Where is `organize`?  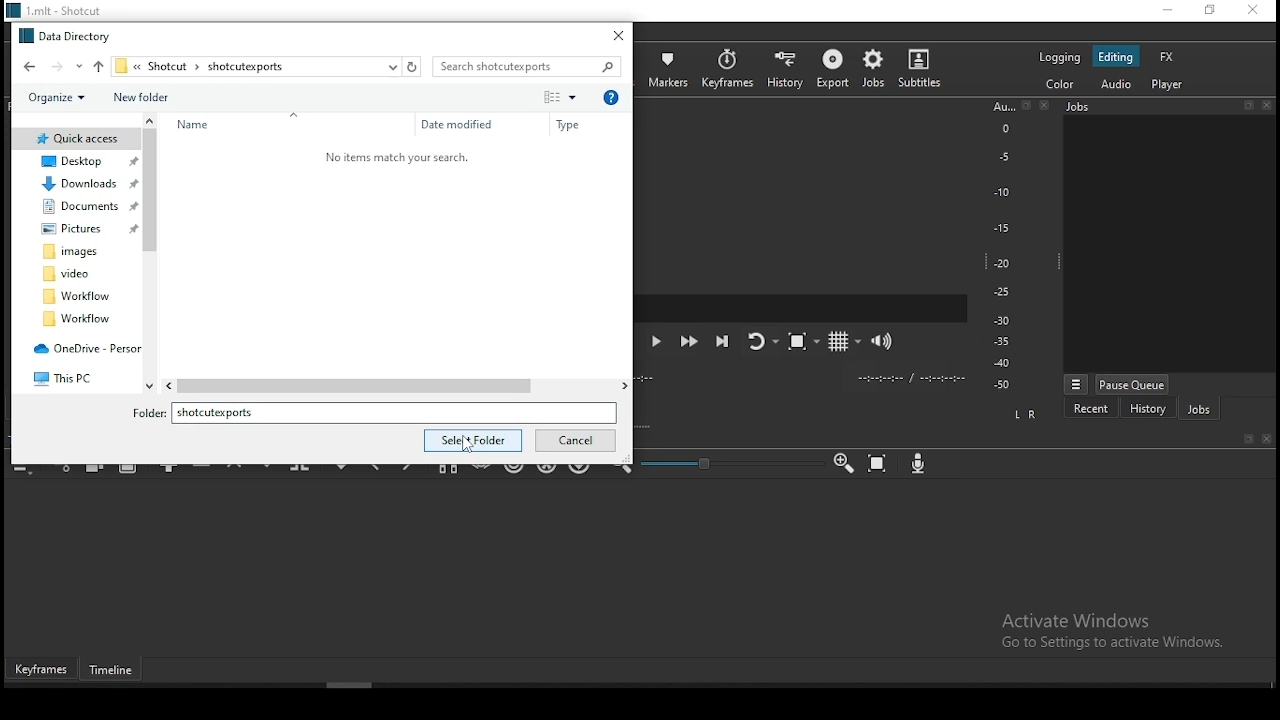
organize is located at coordinates (54, 99).